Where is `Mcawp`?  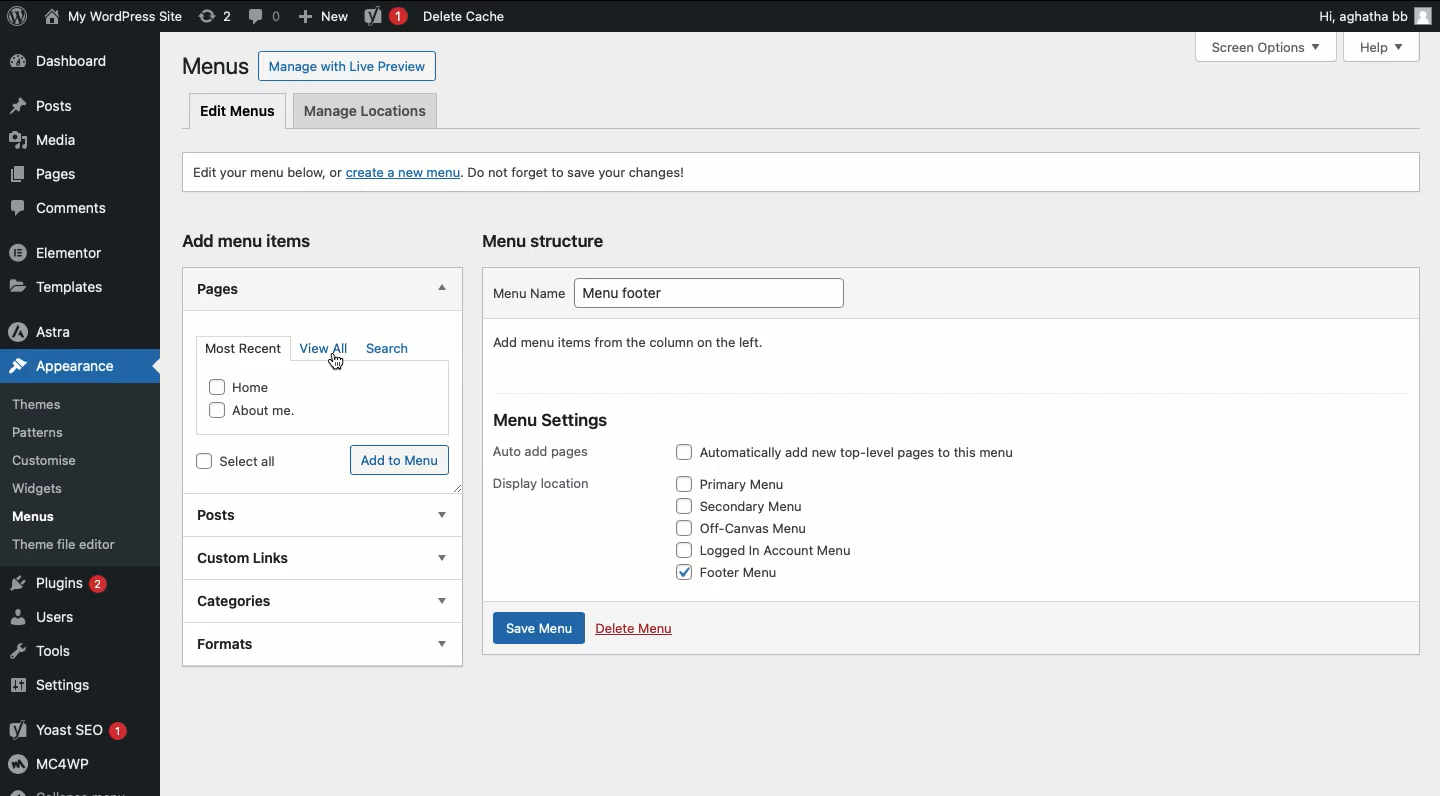 Mcawp is located at coordinates (80, 768).